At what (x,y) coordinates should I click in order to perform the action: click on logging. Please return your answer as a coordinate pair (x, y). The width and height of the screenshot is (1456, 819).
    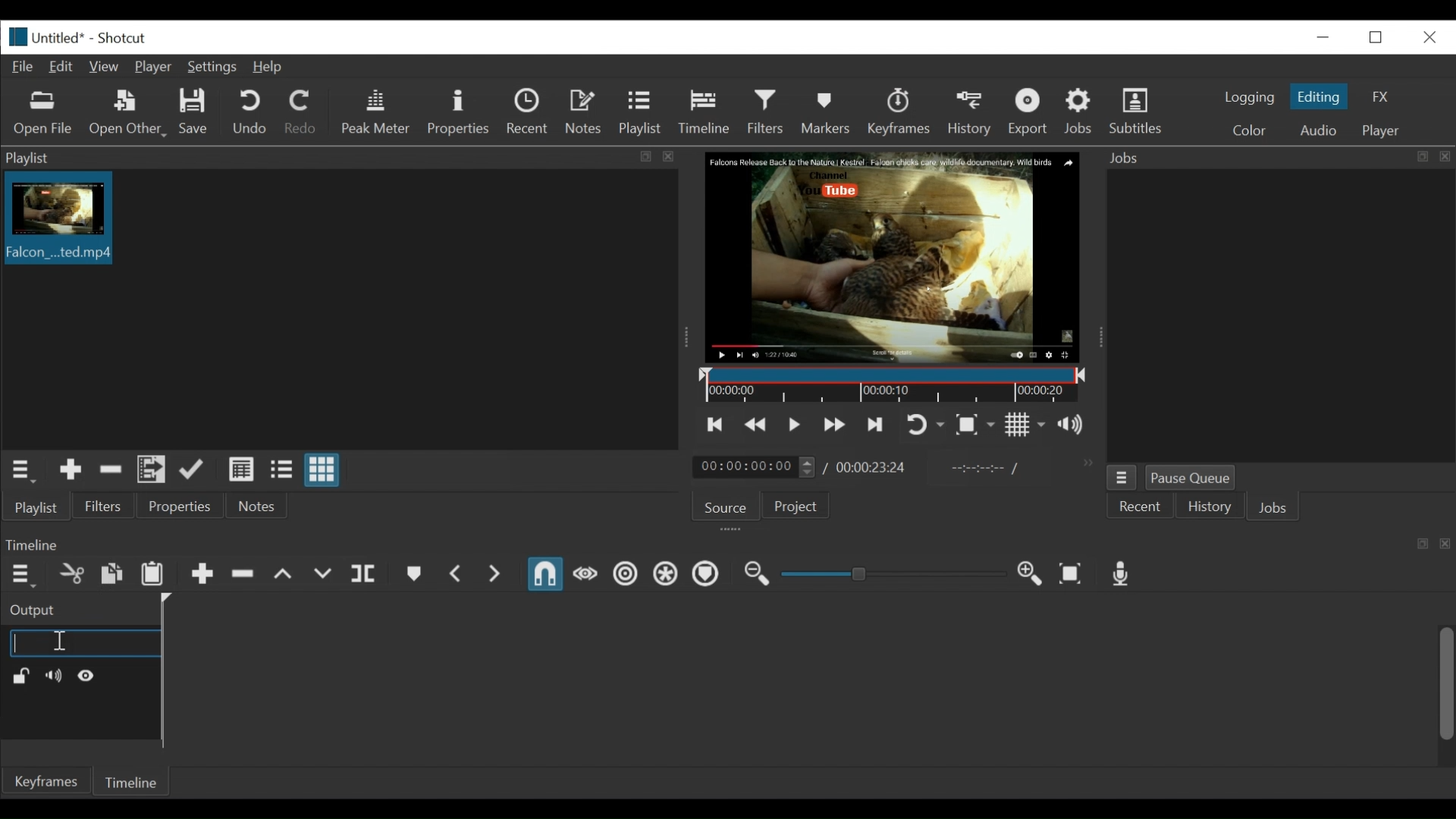
    Looking at the image, I should click on (1250, 99).